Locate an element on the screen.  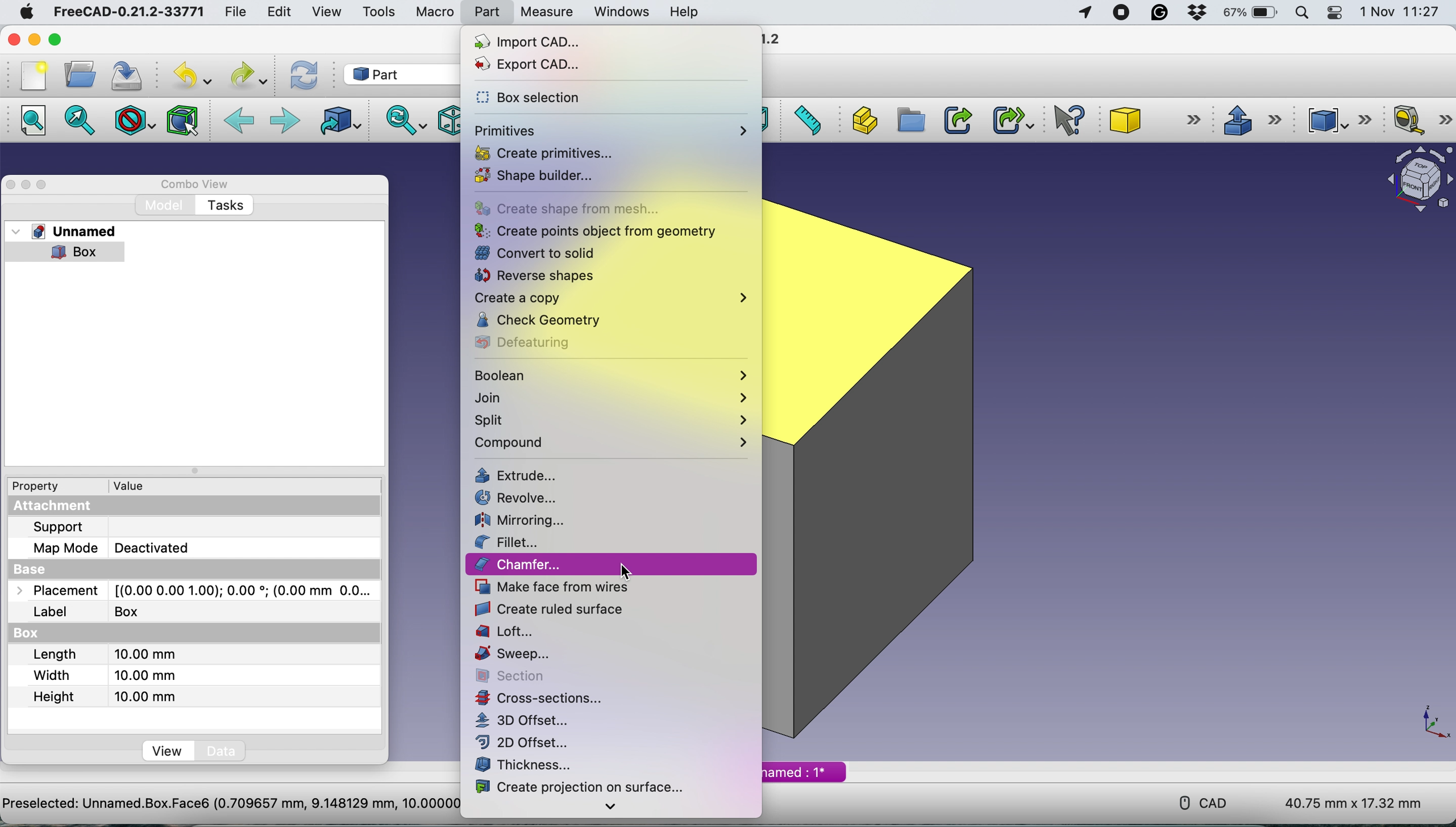
box is located at coordinates (72, 250).